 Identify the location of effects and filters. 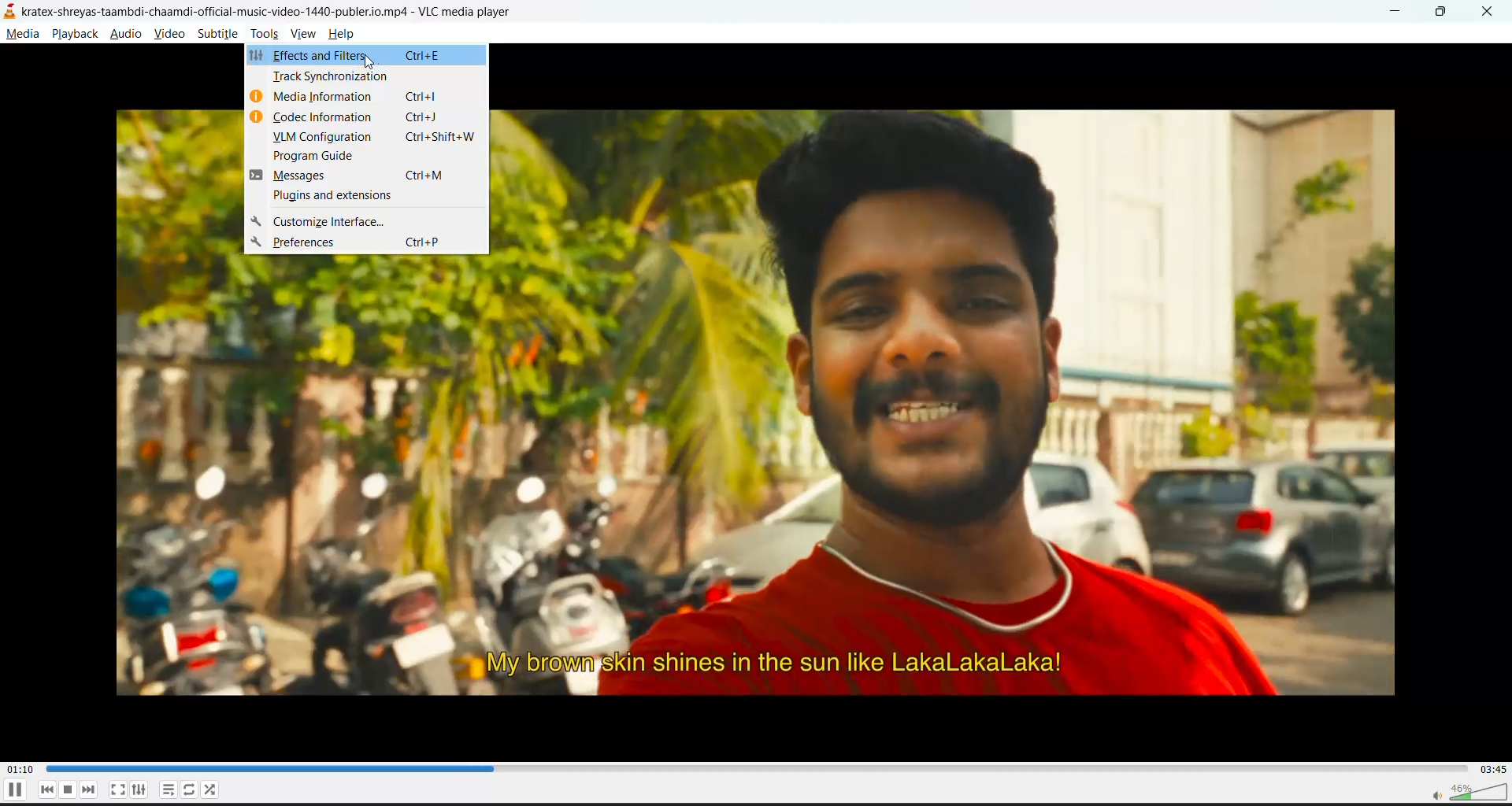
(352, 57).